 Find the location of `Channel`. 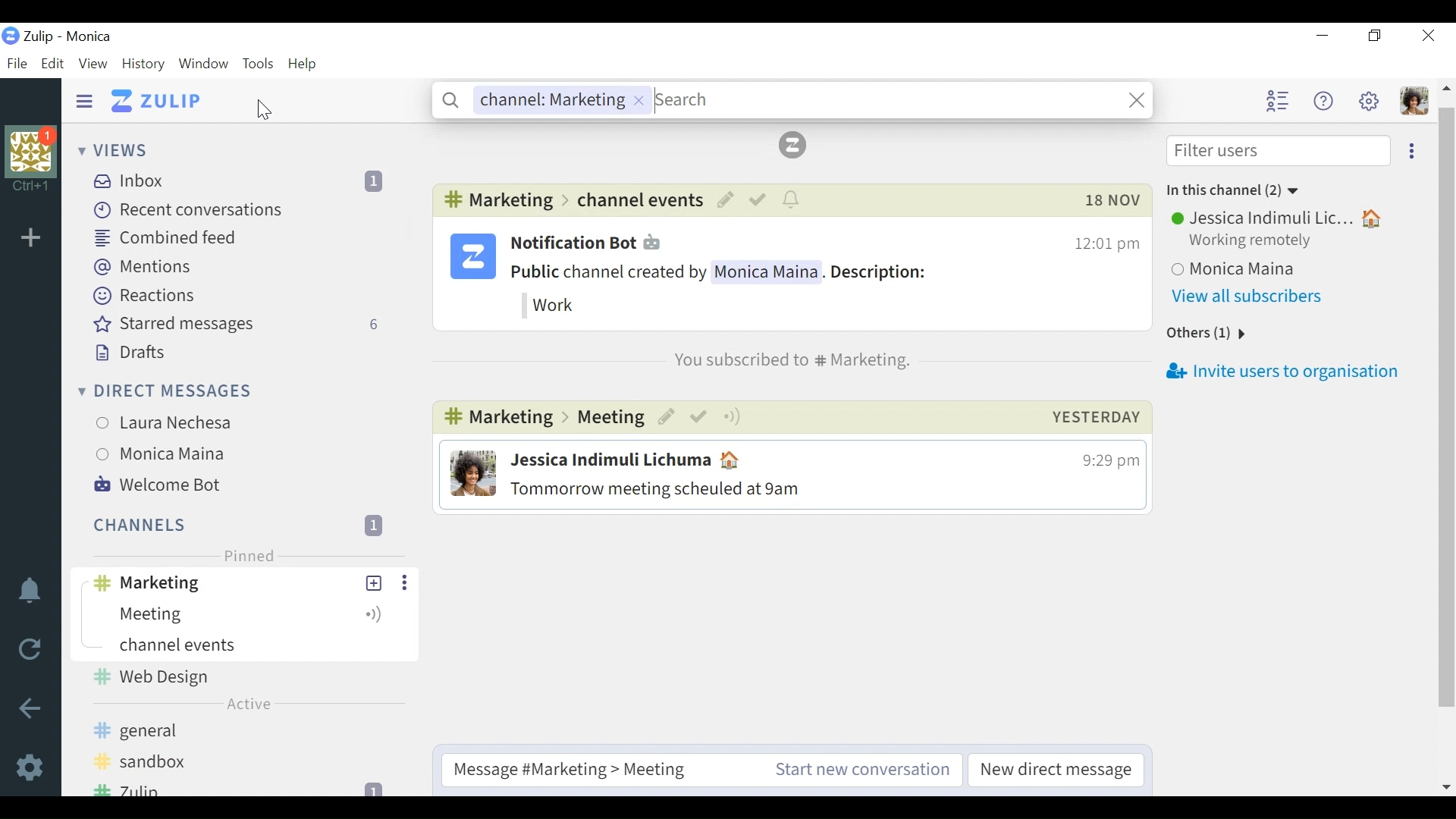

Channel is located at coordinates (246, 672).